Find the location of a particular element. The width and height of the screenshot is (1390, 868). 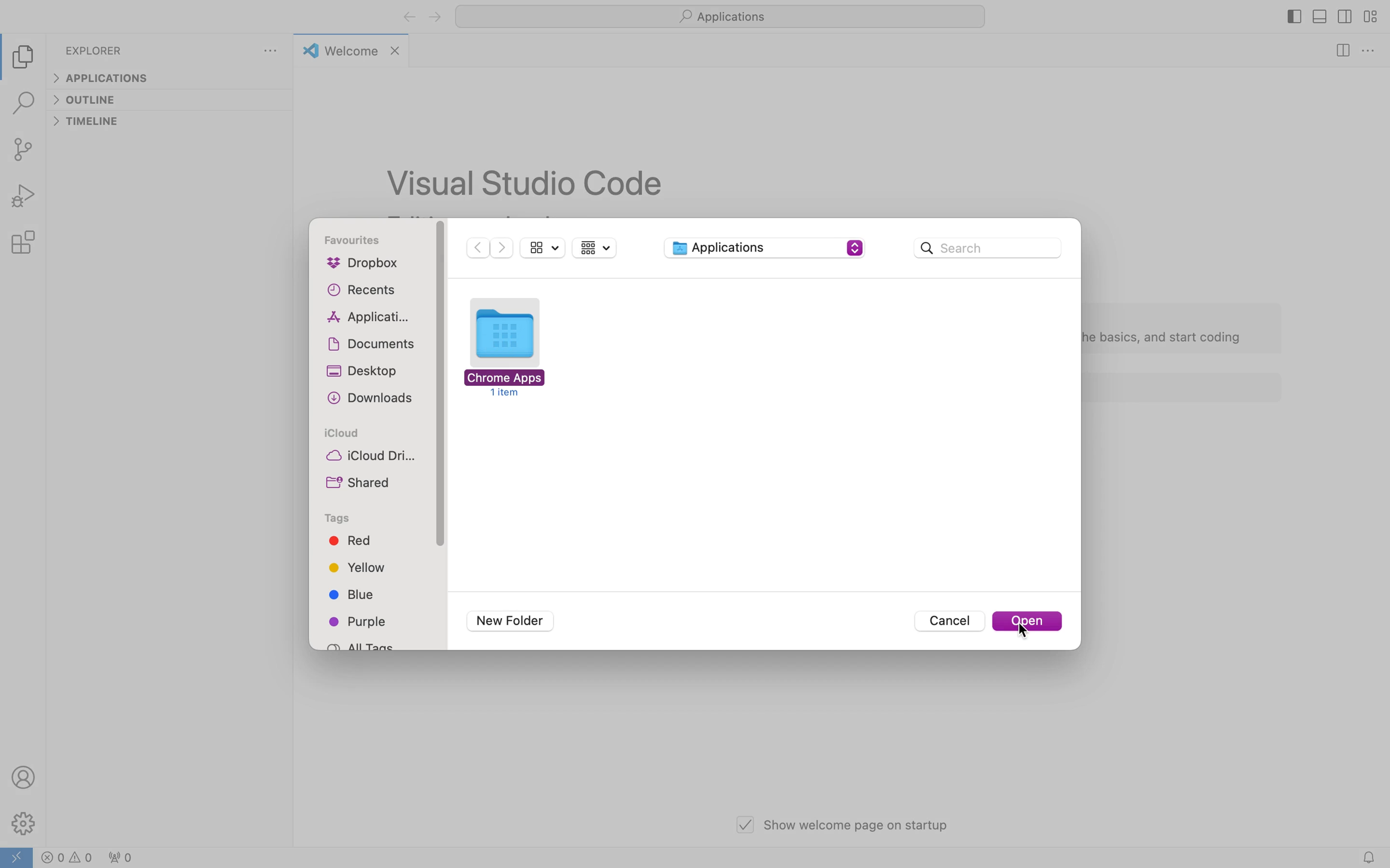

downloads is located at coordinates (373, 400).